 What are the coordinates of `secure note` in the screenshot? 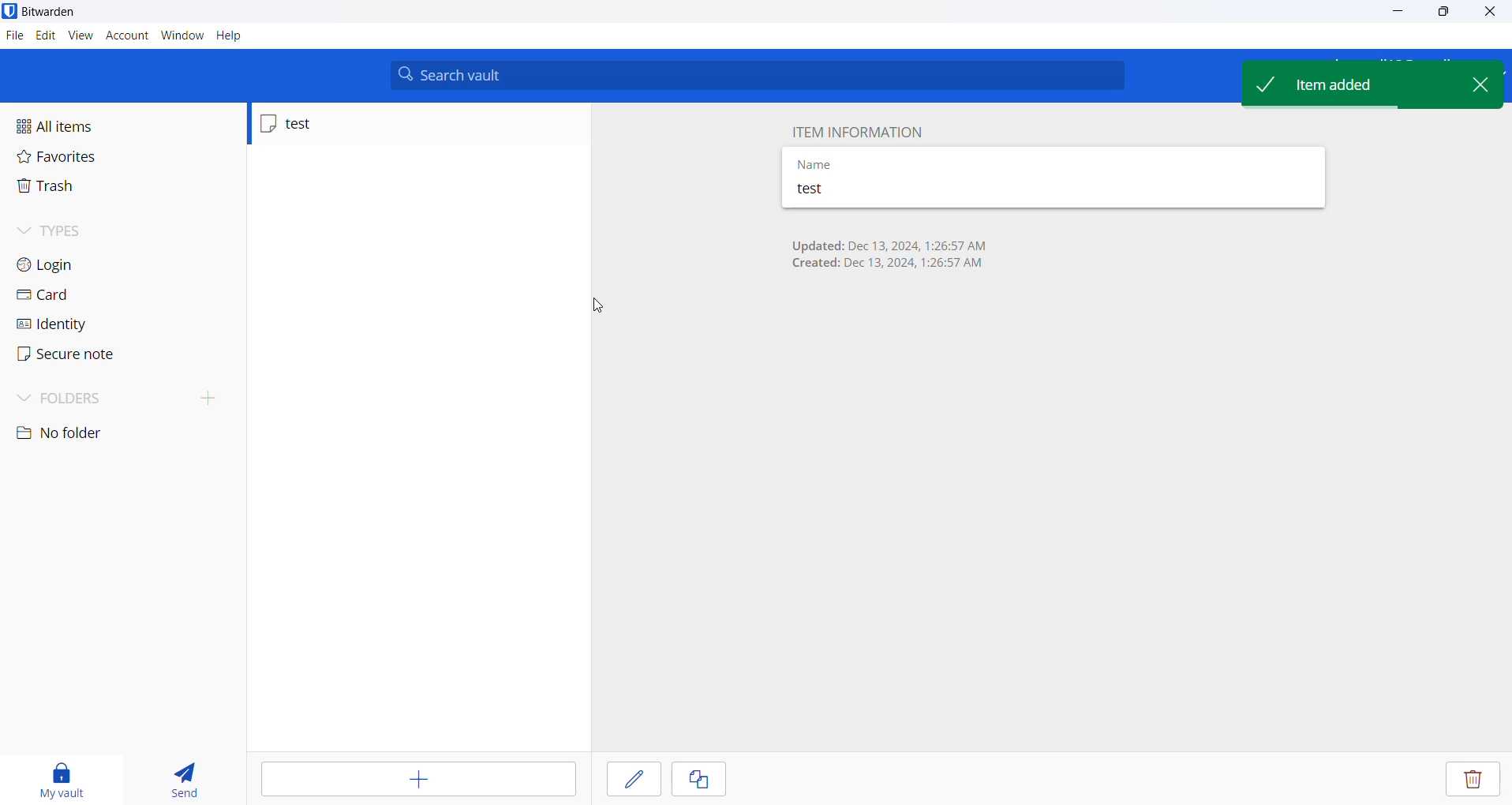 It's located at (357, 123).